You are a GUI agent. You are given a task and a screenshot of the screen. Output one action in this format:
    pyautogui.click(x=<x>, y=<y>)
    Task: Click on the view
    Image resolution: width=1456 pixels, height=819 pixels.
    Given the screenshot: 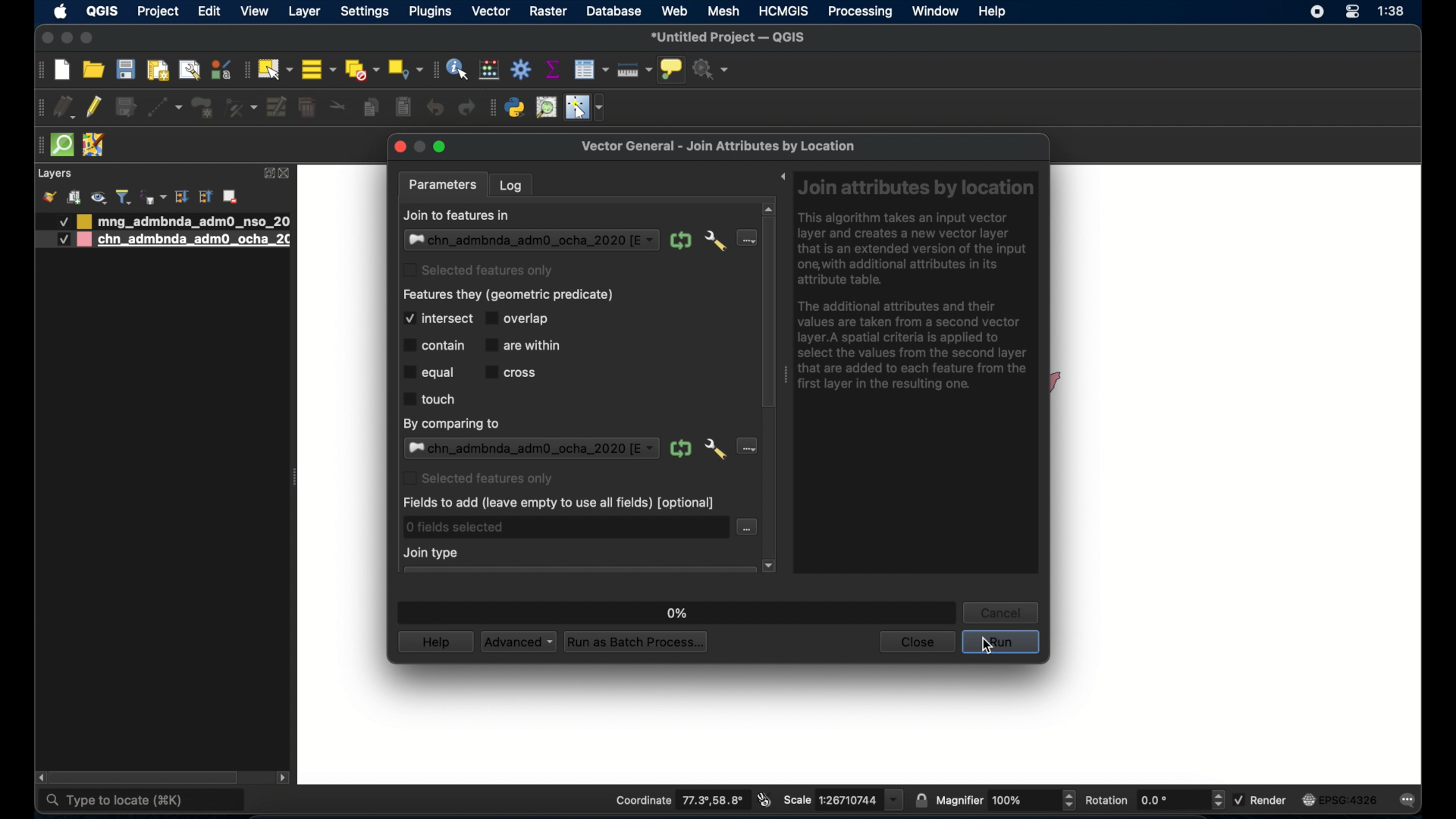 What is the action you would take?
    pyautogui.click(x=254, y=12)
    